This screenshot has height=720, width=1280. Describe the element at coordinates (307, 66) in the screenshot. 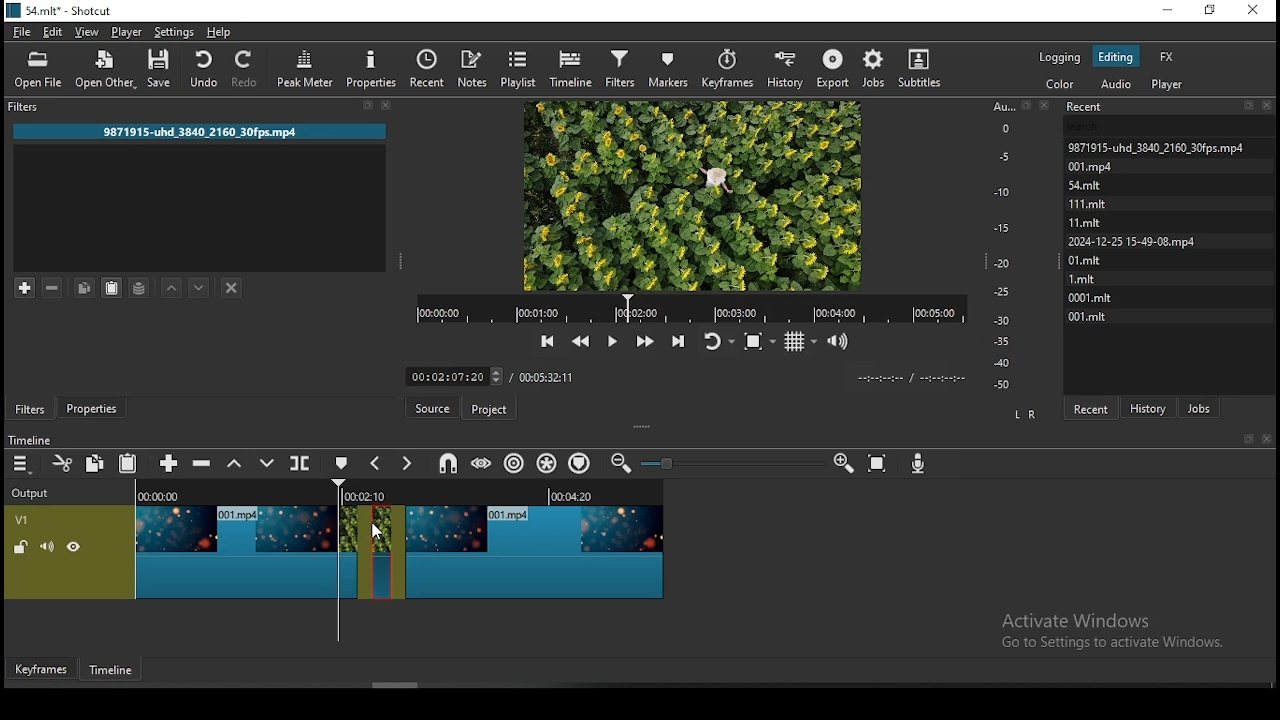

I see `peak meter` at that location.